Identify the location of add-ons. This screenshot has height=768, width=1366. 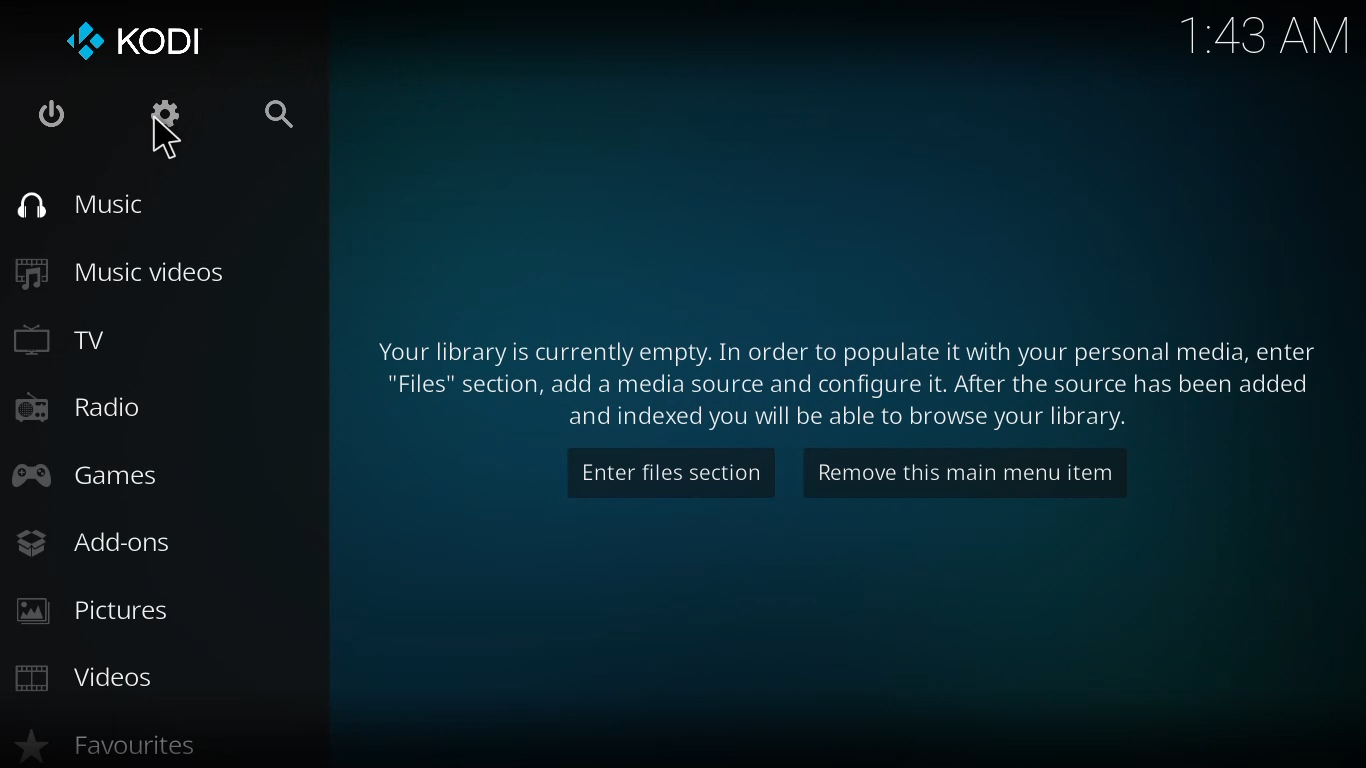
(93, 542).